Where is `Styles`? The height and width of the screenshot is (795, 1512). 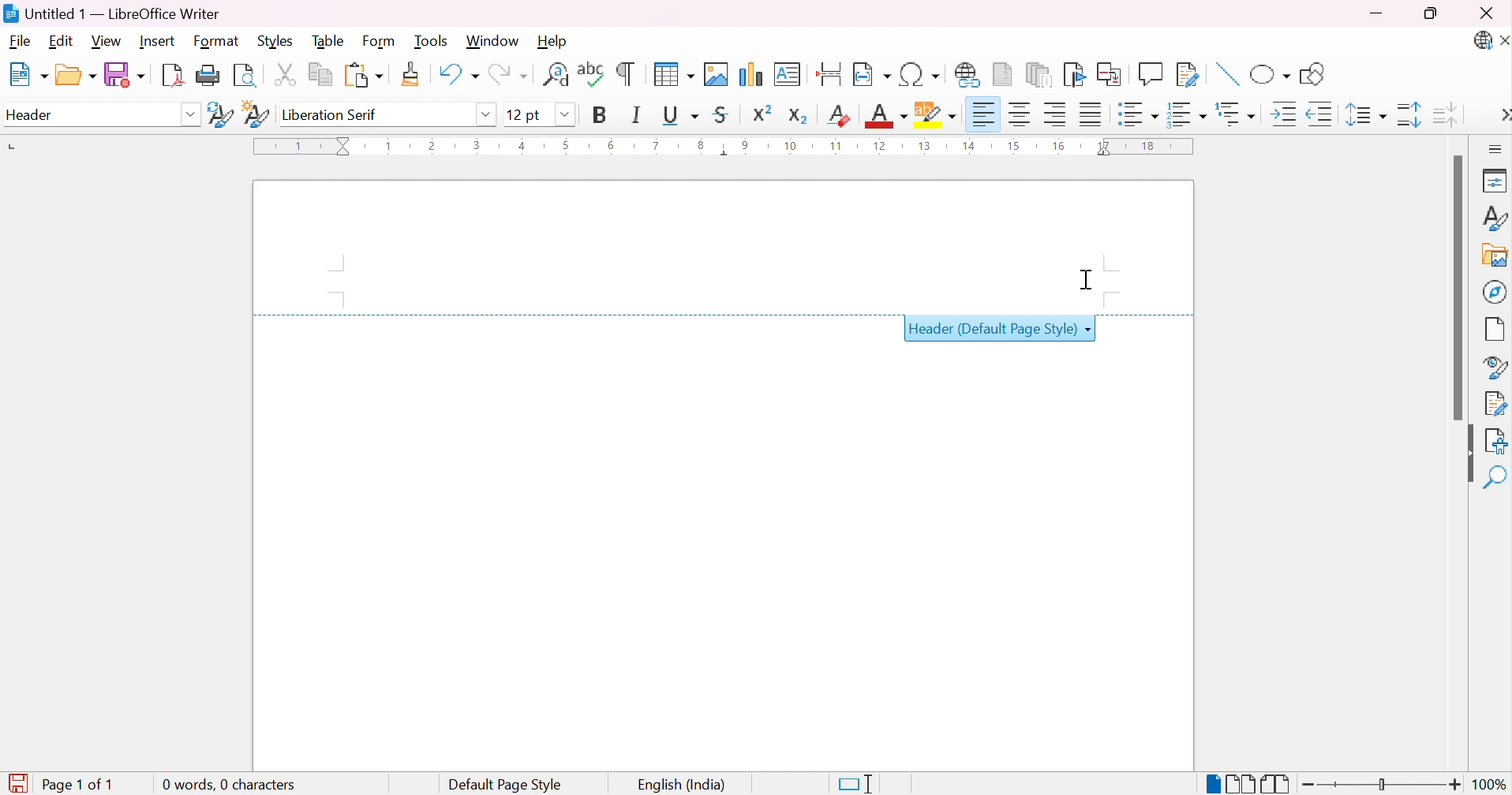
Styles is located at coordinates (1496, 218).